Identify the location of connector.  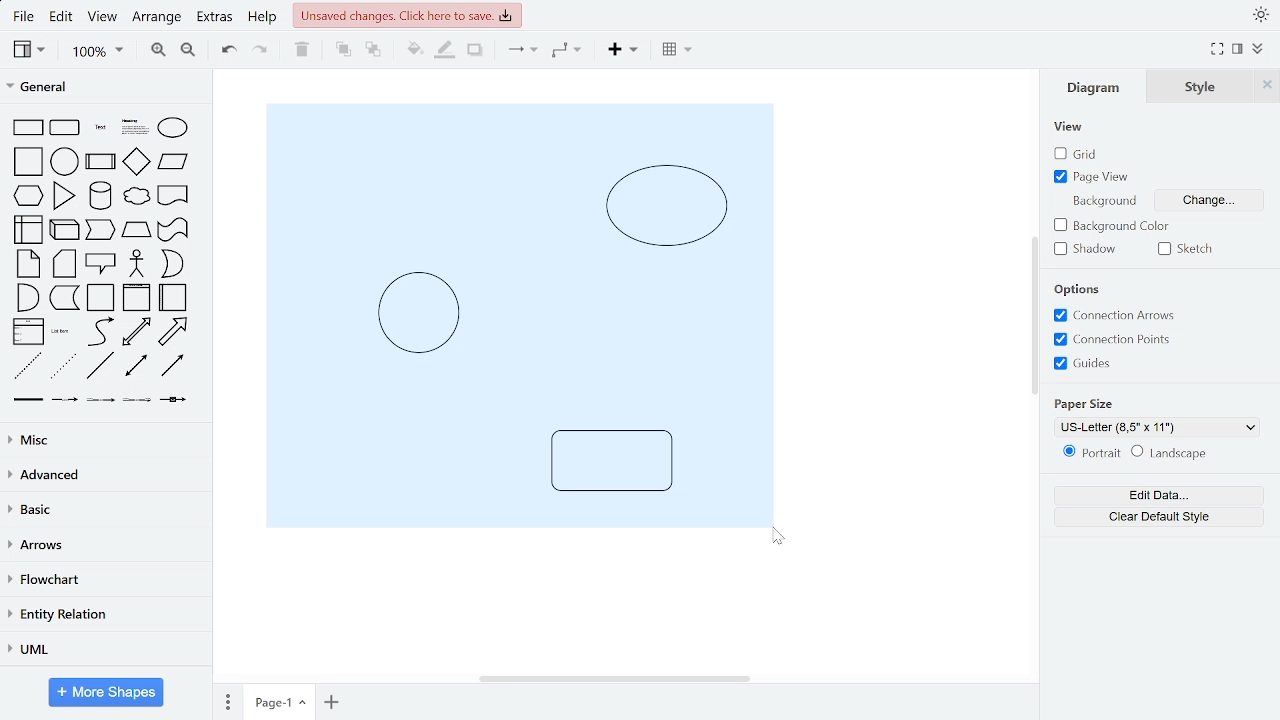
(520, 53).